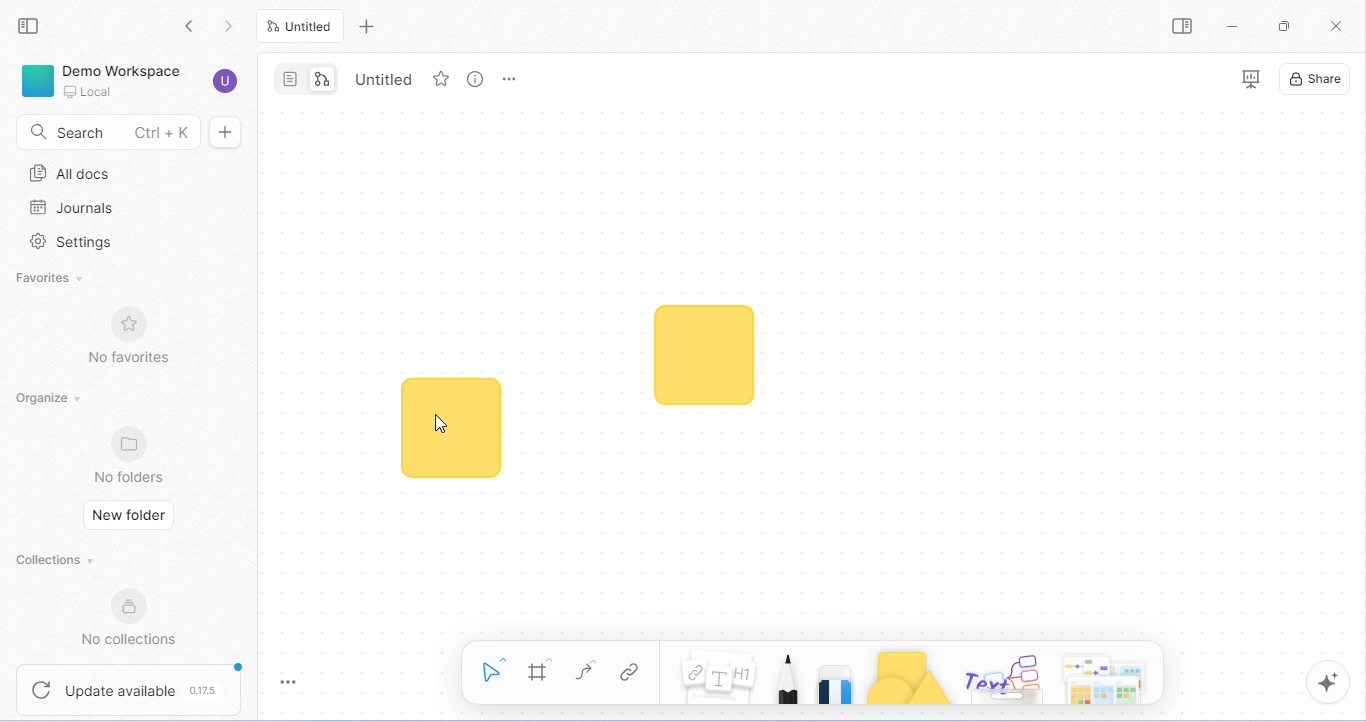 The height and width of the screenshot is (722, 1366). What do you see at coordinates (59, 561) in the screenshot?
I see `collections` at bounding box center [59, 561].